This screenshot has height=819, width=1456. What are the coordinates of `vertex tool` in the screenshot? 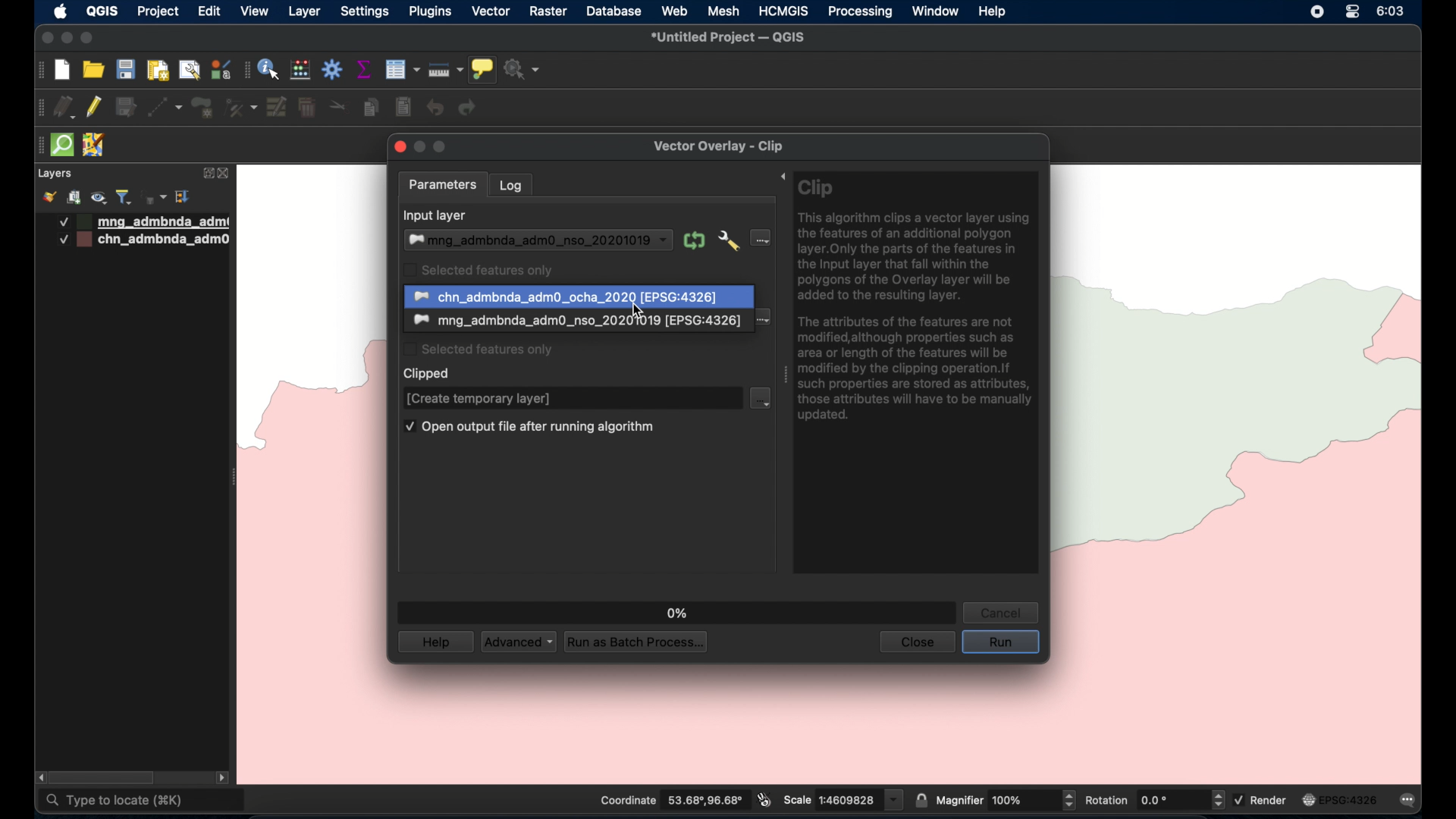 It's located at (241, 108).